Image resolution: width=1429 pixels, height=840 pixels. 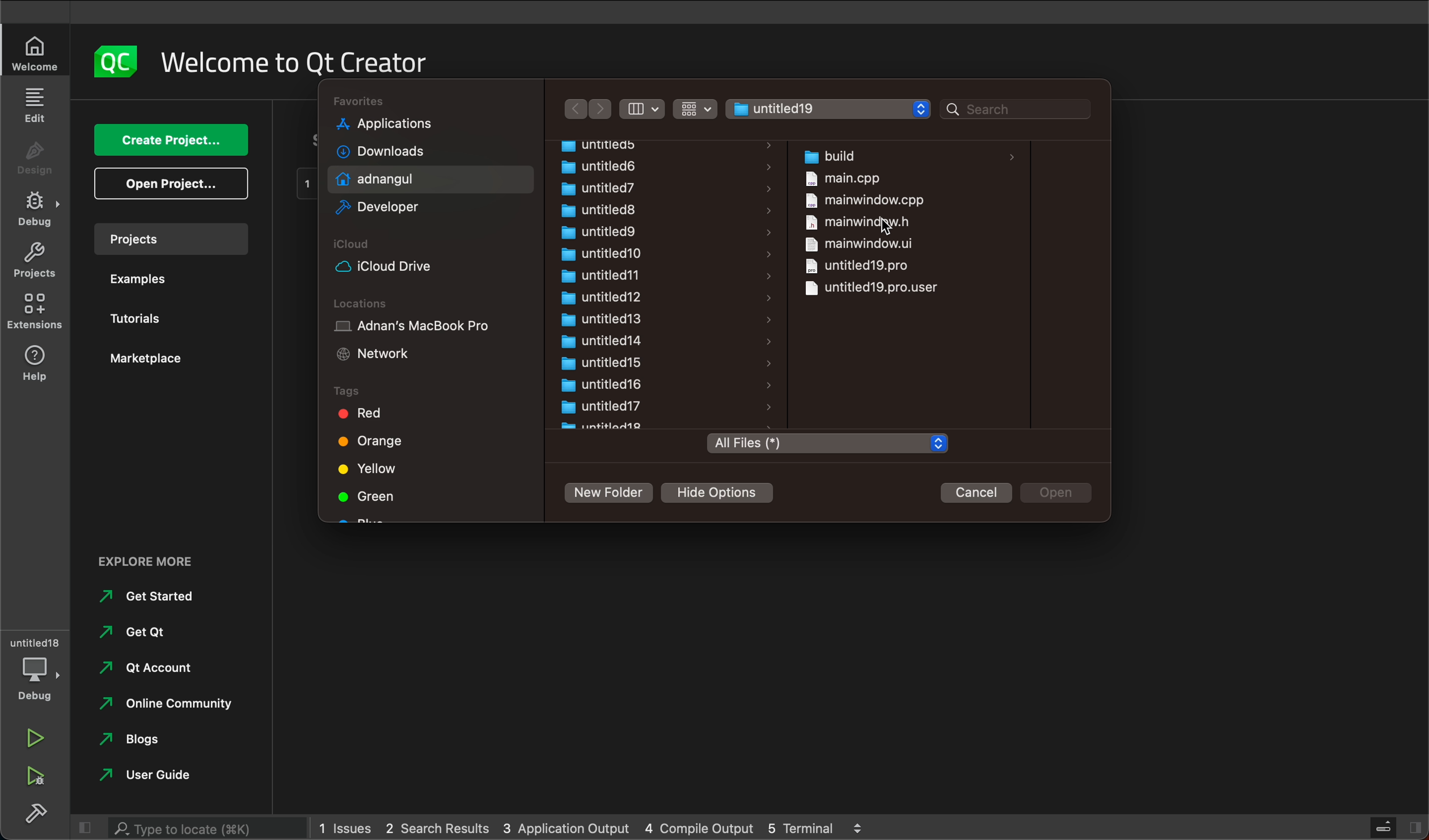 What do you see at coordinates (387, 179) in the screenshot?
I see `adnan gul` at bounding box center [387, 179].